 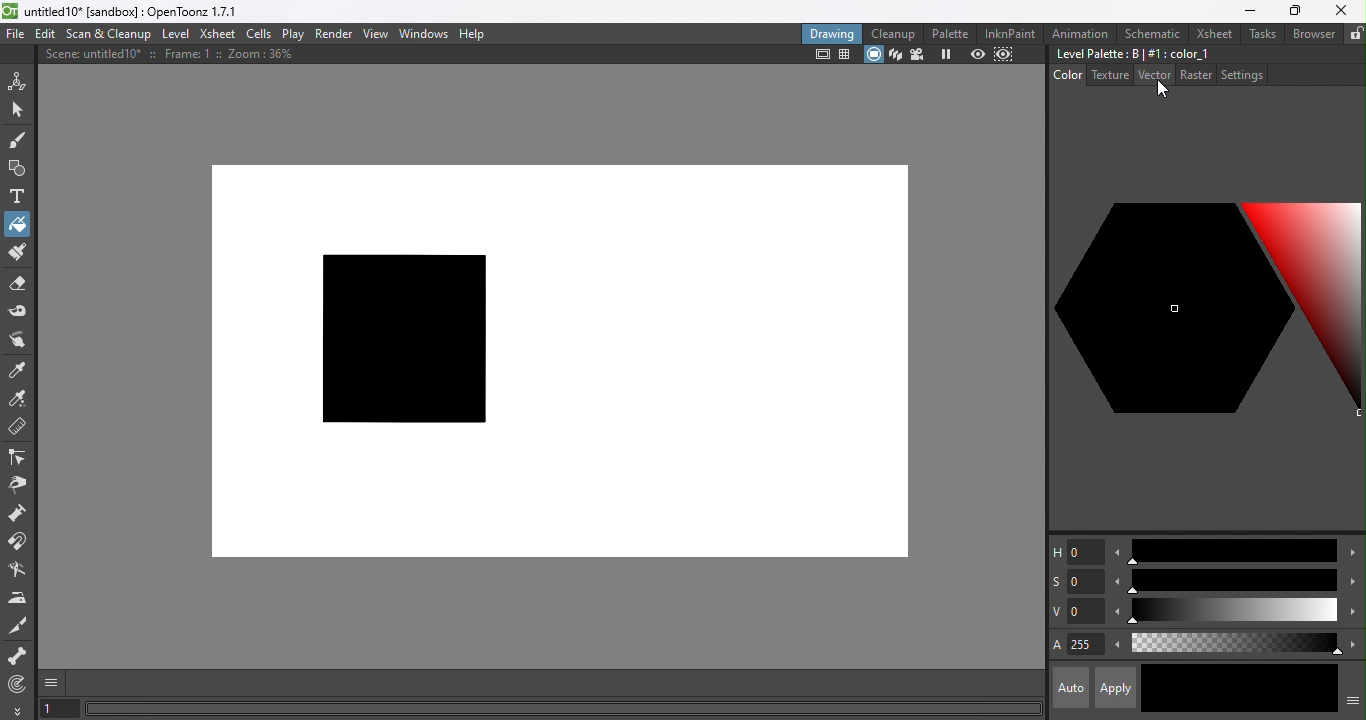 I want to click on Auto, so click(x=1071, y=688).